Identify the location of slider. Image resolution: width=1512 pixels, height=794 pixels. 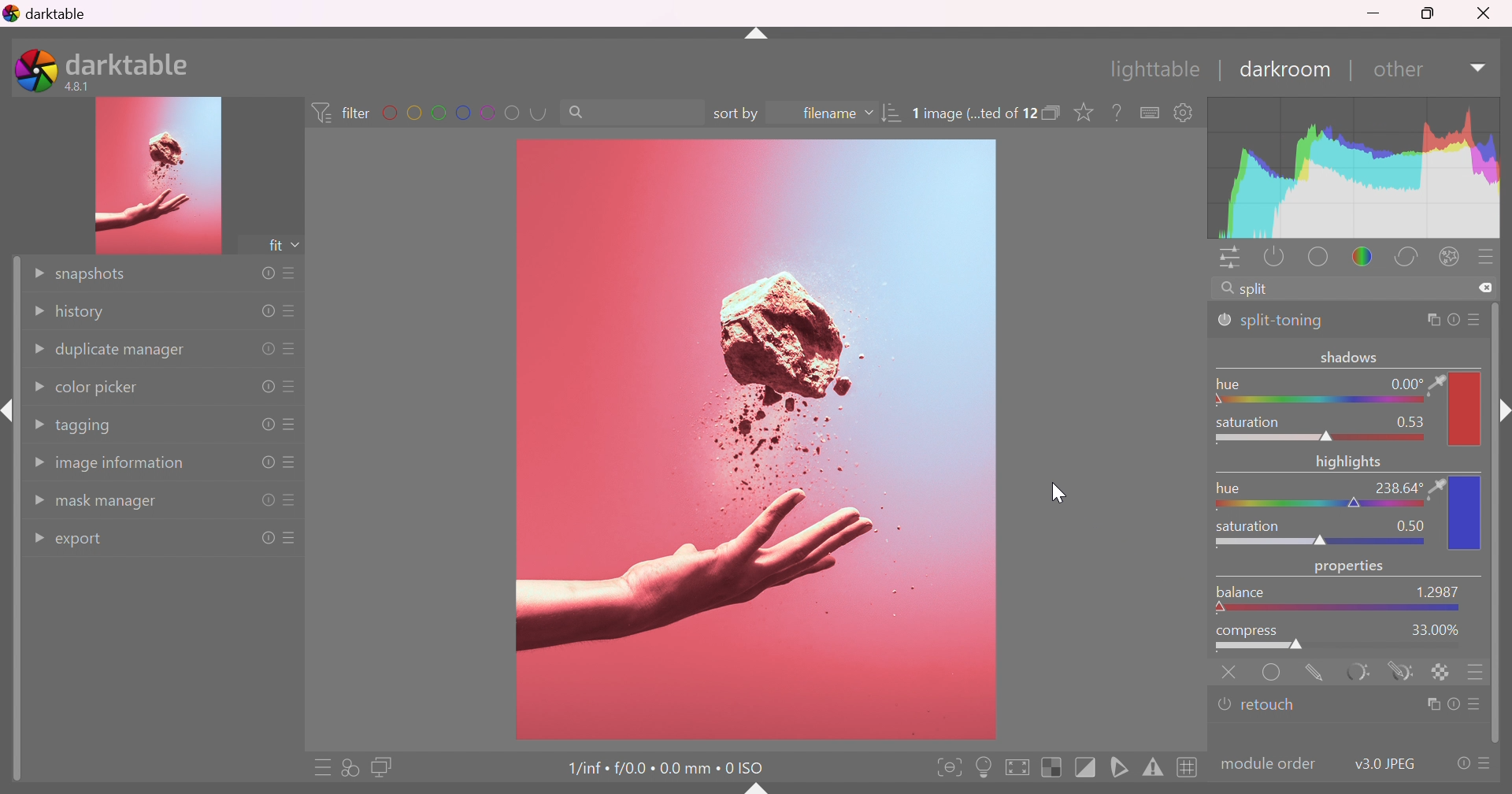
(1329, 506).